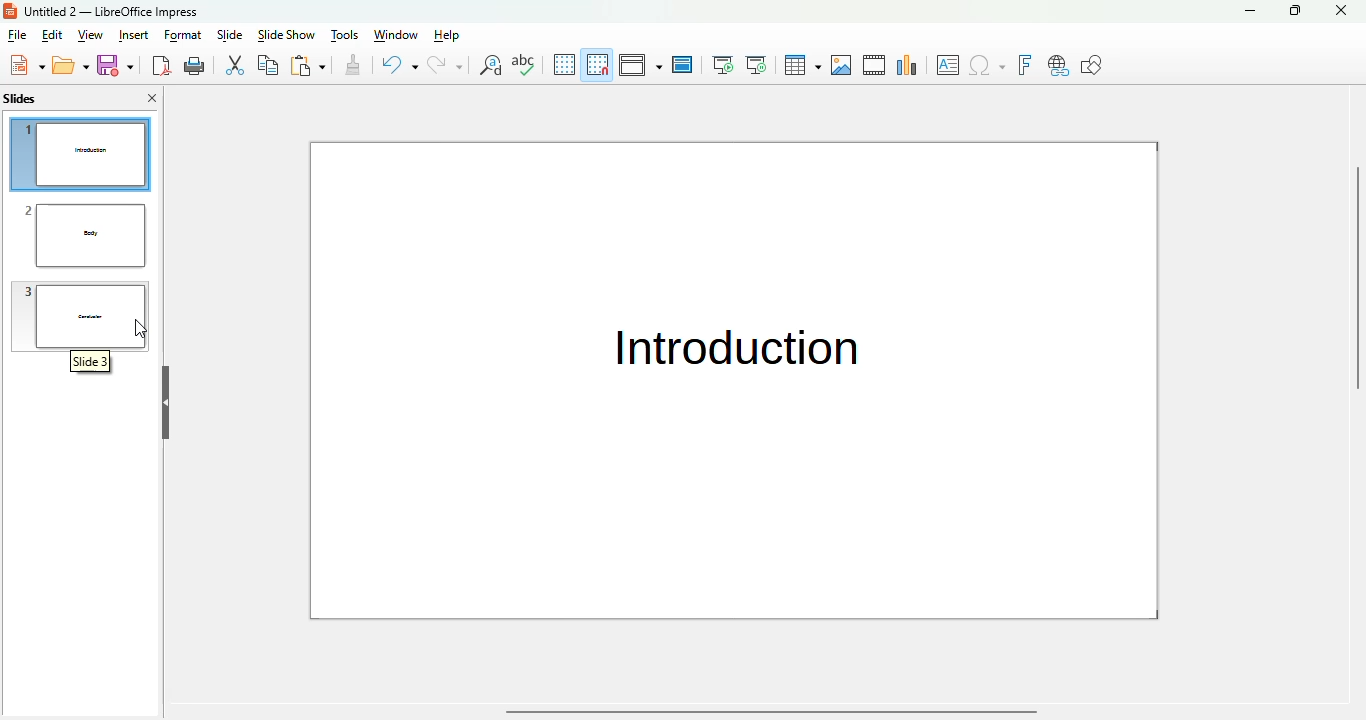 Image resolution: width=1366 pixels, height=720 pixels. Describe the element at coordinates (161, 66) in the screenshot. I see `export directly as PDF` at that location.